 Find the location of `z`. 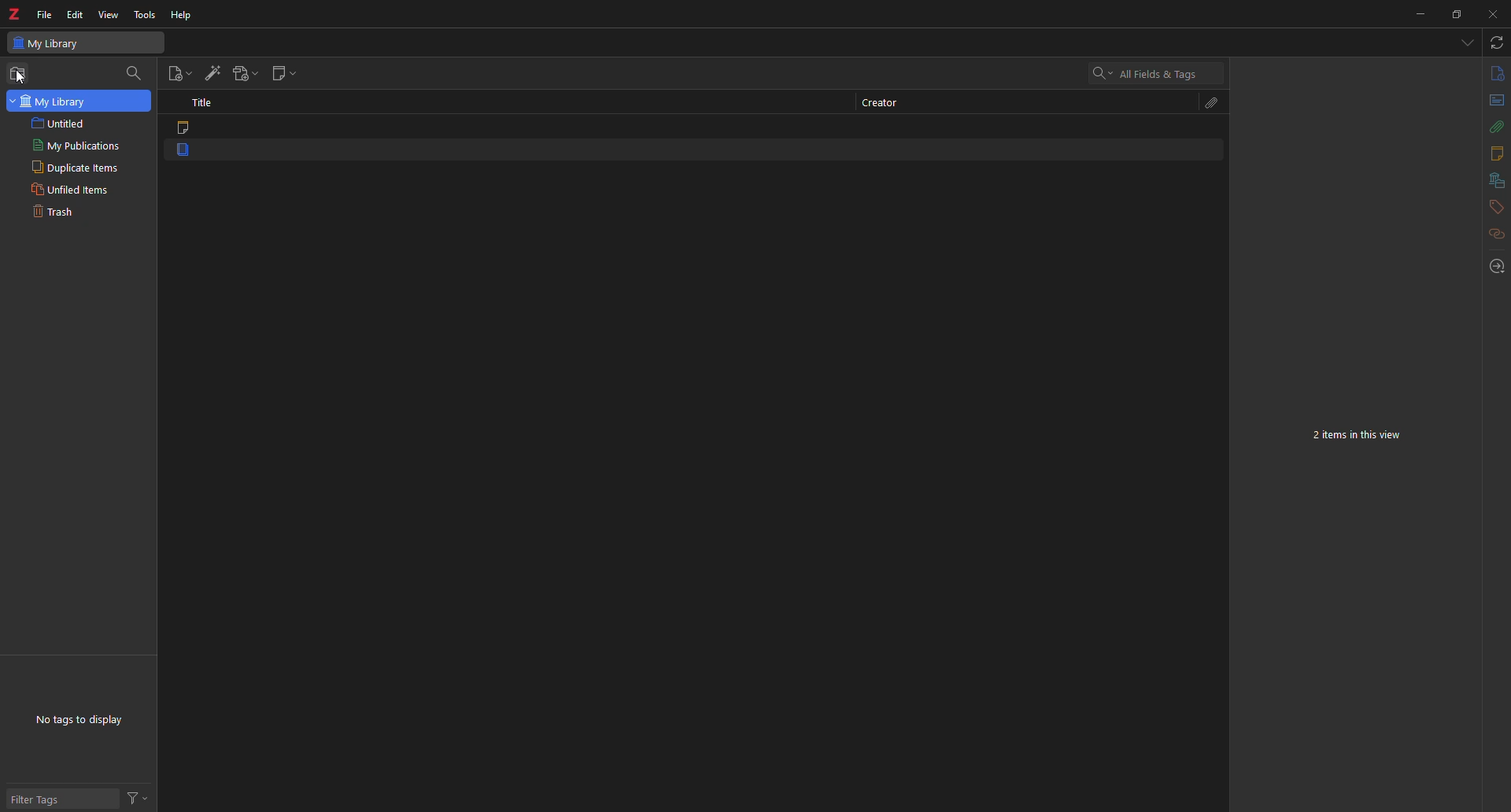

z is located at coordinates (16, 13).